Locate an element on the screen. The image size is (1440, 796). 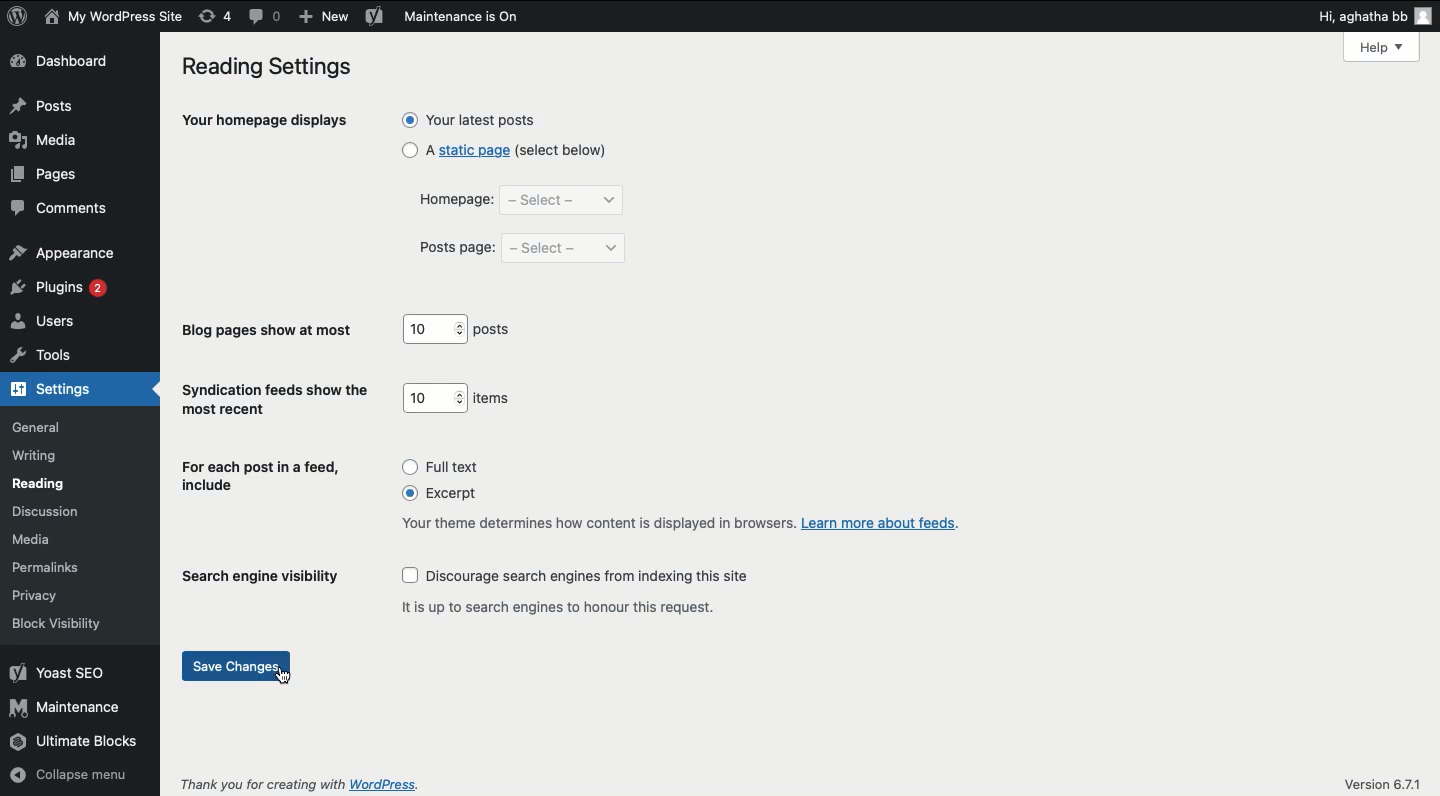
hi aghatha bb is located at coordinates (1376, 16).